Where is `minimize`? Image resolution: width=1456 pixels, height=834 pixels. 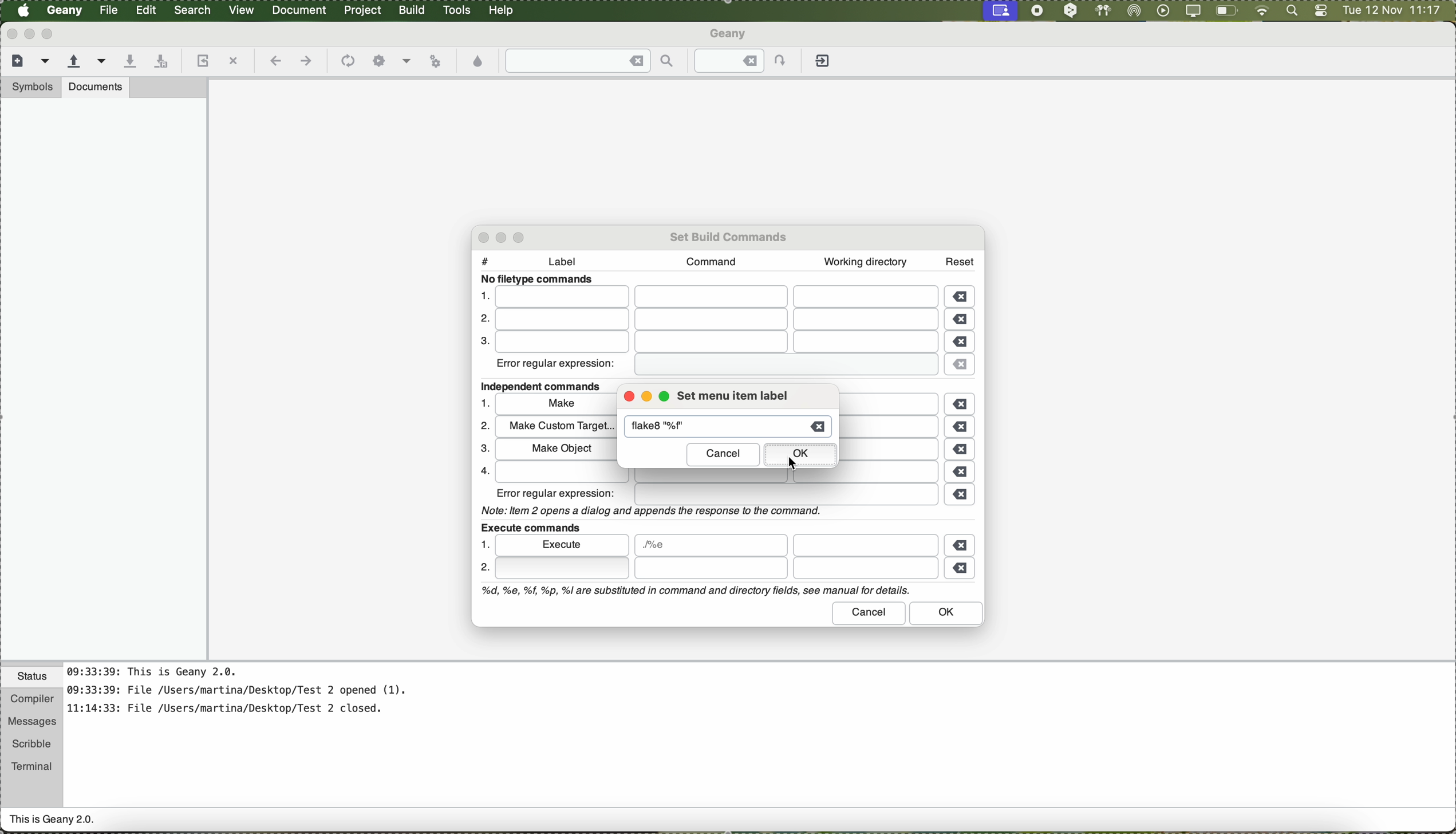
minimize is located at coordinates (505, 237).